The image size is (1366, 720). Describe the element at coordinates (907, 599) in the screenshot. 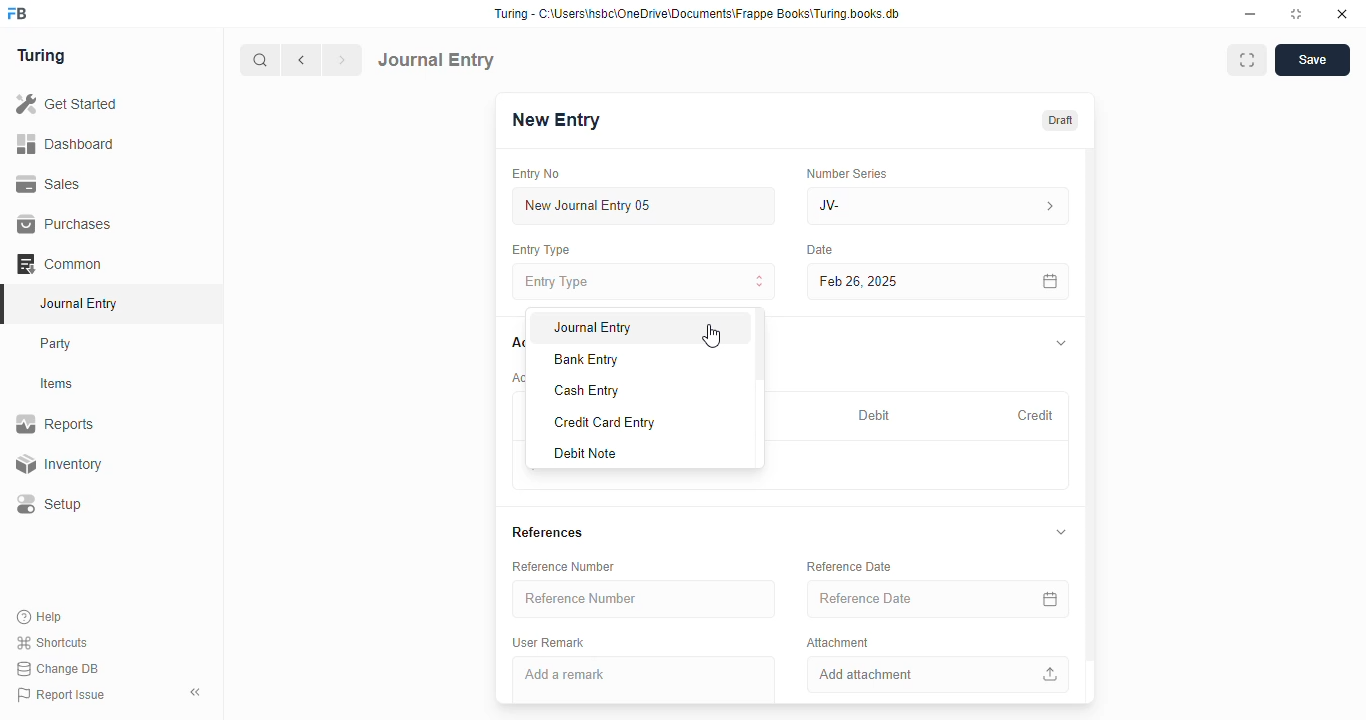

I see `reference date` at that location.